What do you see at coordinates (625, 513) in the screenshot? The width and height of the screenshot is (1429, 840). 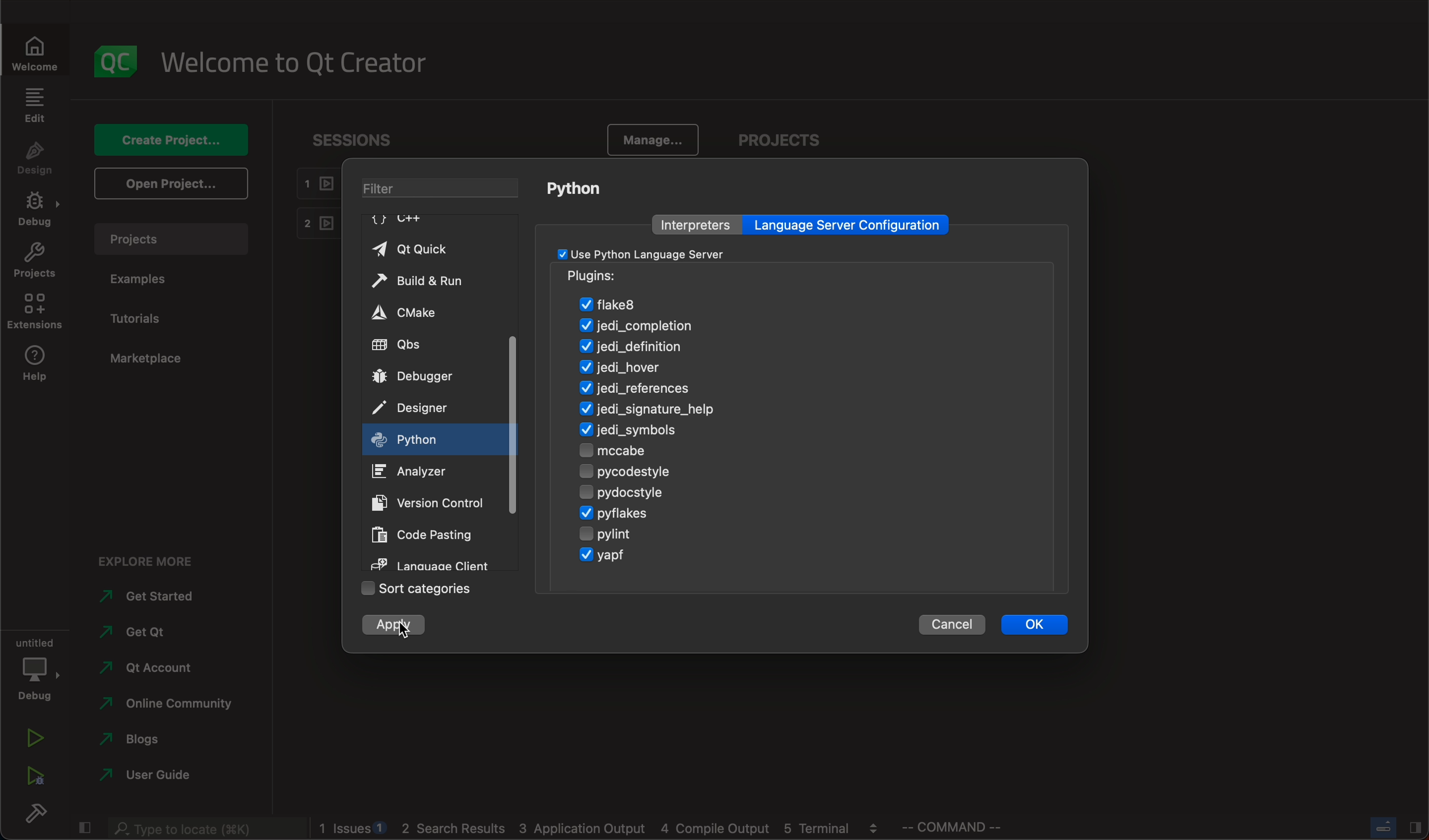 I see `pyflakes` at bounding box center [625, 513].